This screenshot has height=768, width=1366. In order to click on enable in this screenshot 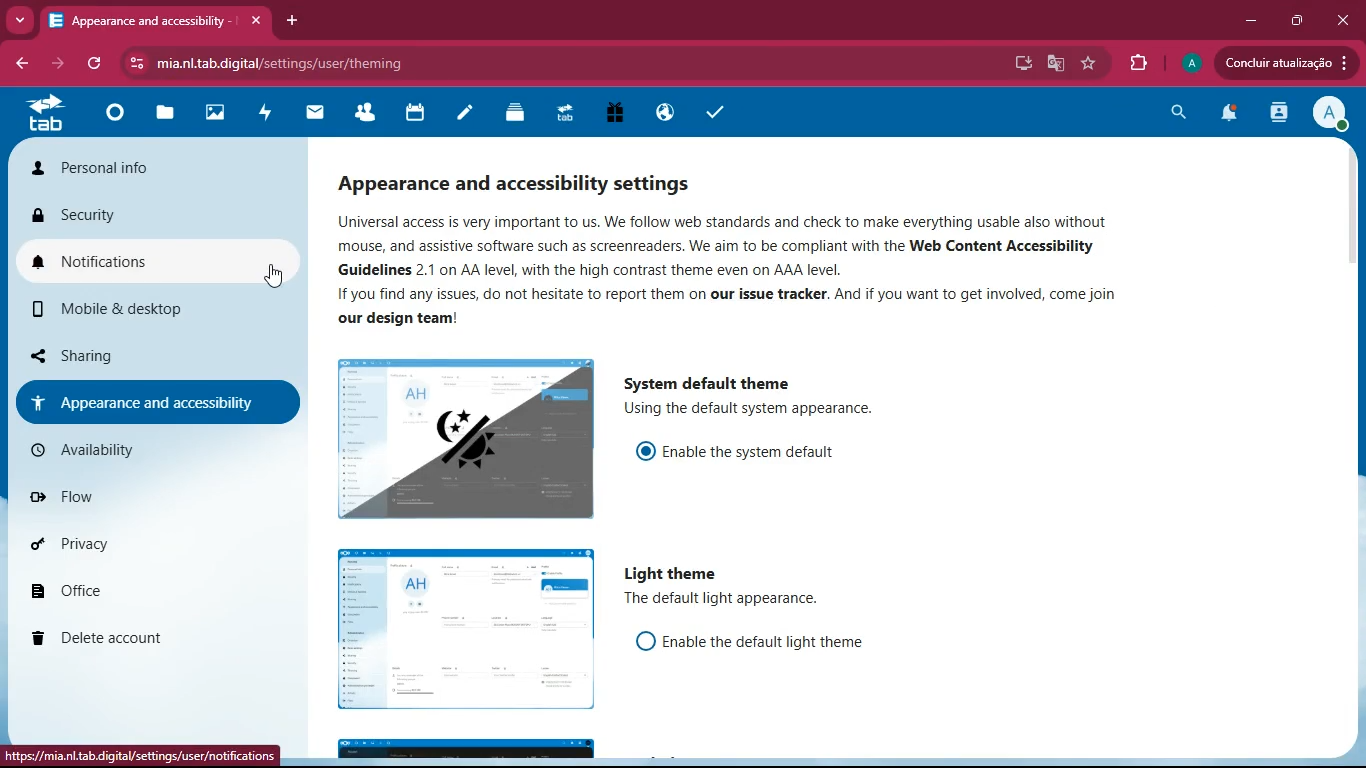, I will do `click(763, 643)`.